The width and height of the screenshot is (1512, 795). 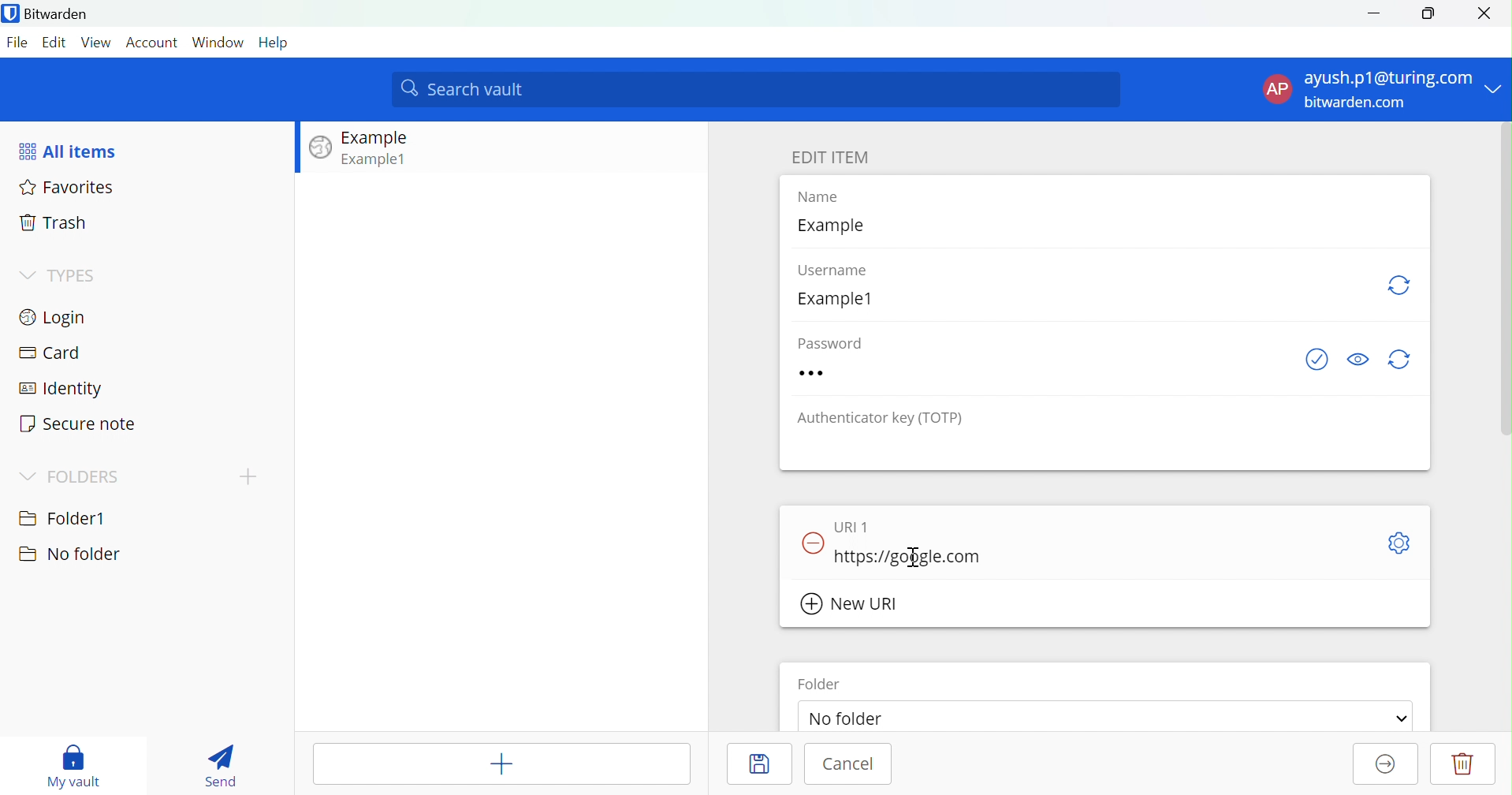 What do you see at coordinates (220, 766) in the screenshot?
I see `Send` at bounding box center [220, 766].